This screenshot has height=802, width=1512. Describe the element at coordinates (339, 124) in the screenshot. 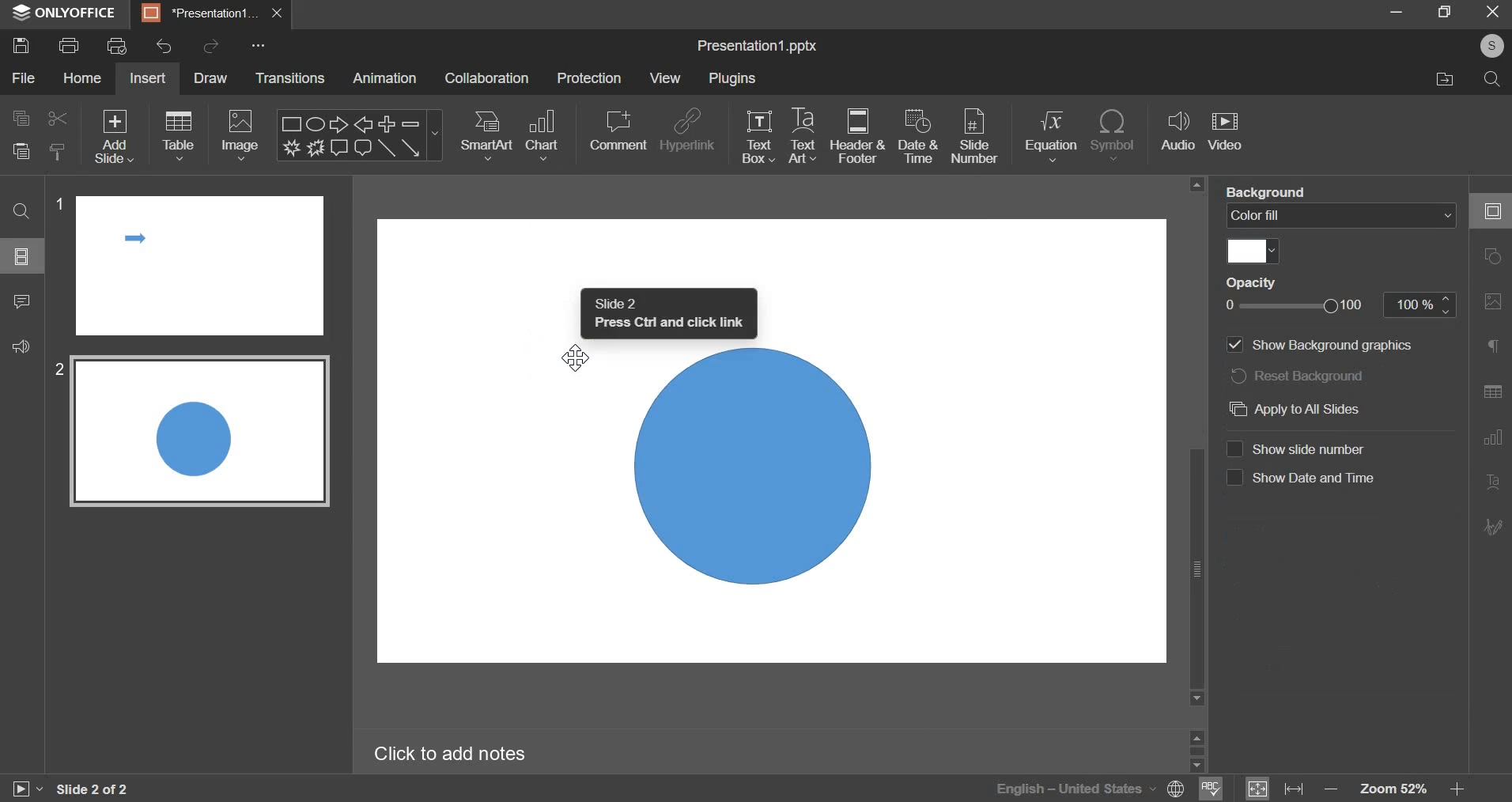

I see `Right arrow` at that location.